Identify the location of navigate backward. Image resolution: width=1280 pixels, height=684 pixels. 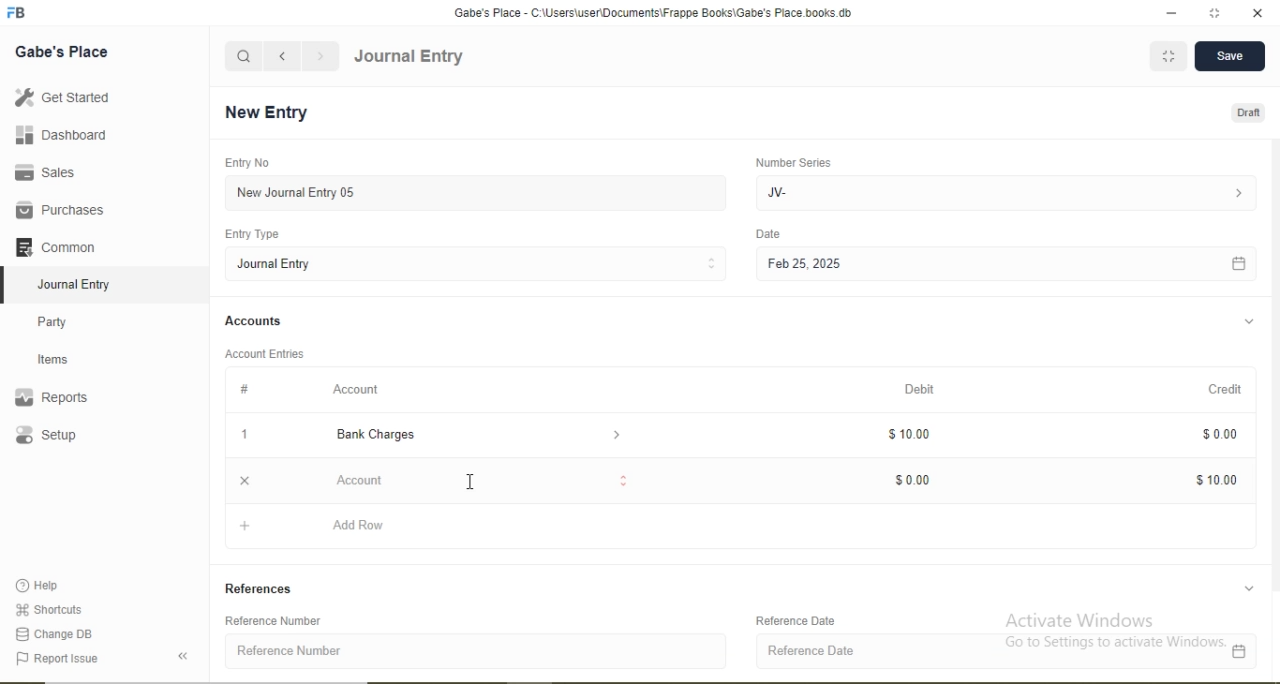
(281, 56).